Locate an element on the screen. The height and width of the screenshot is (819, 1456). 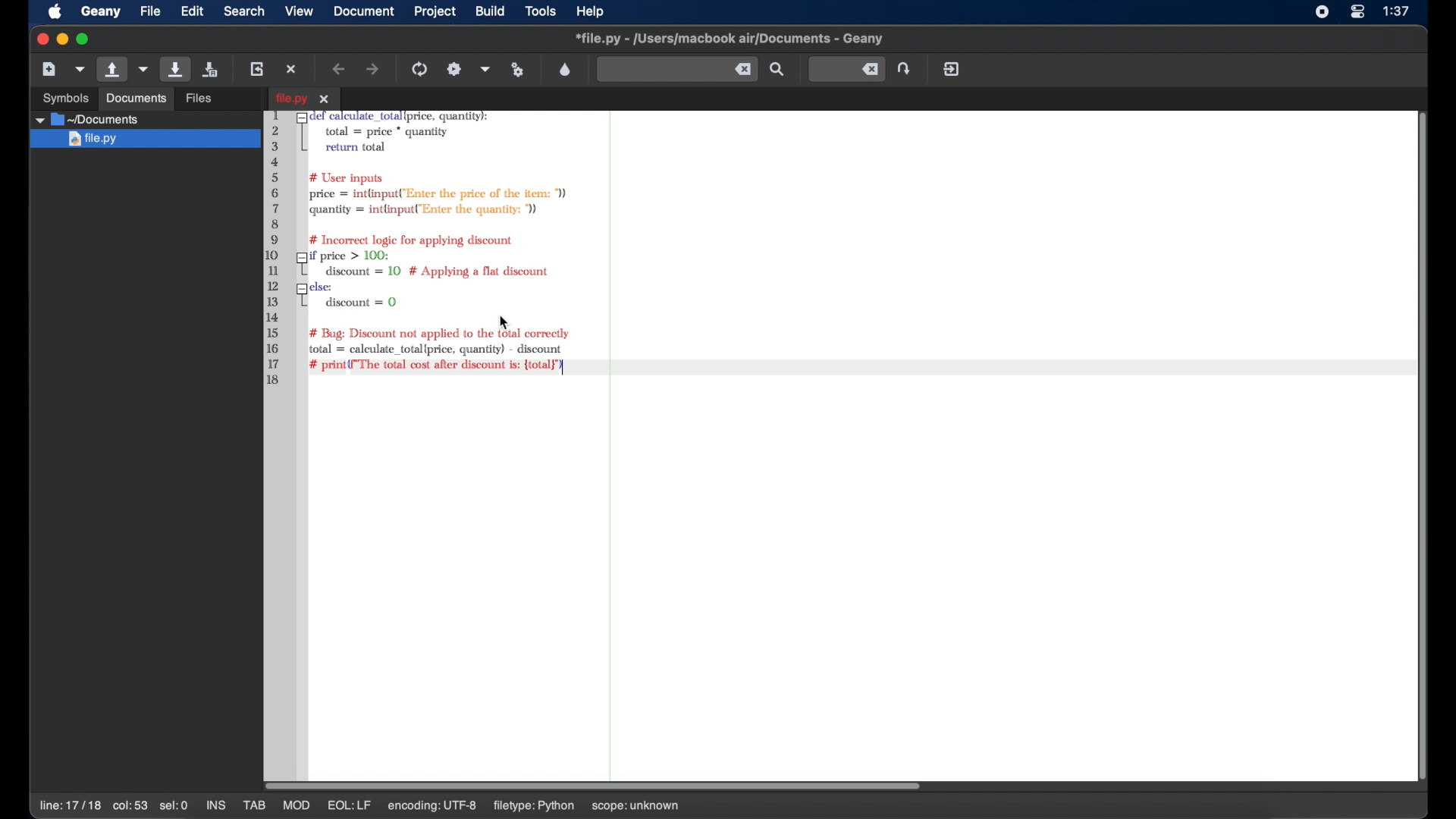
edit is located at coordinates (193, 11).